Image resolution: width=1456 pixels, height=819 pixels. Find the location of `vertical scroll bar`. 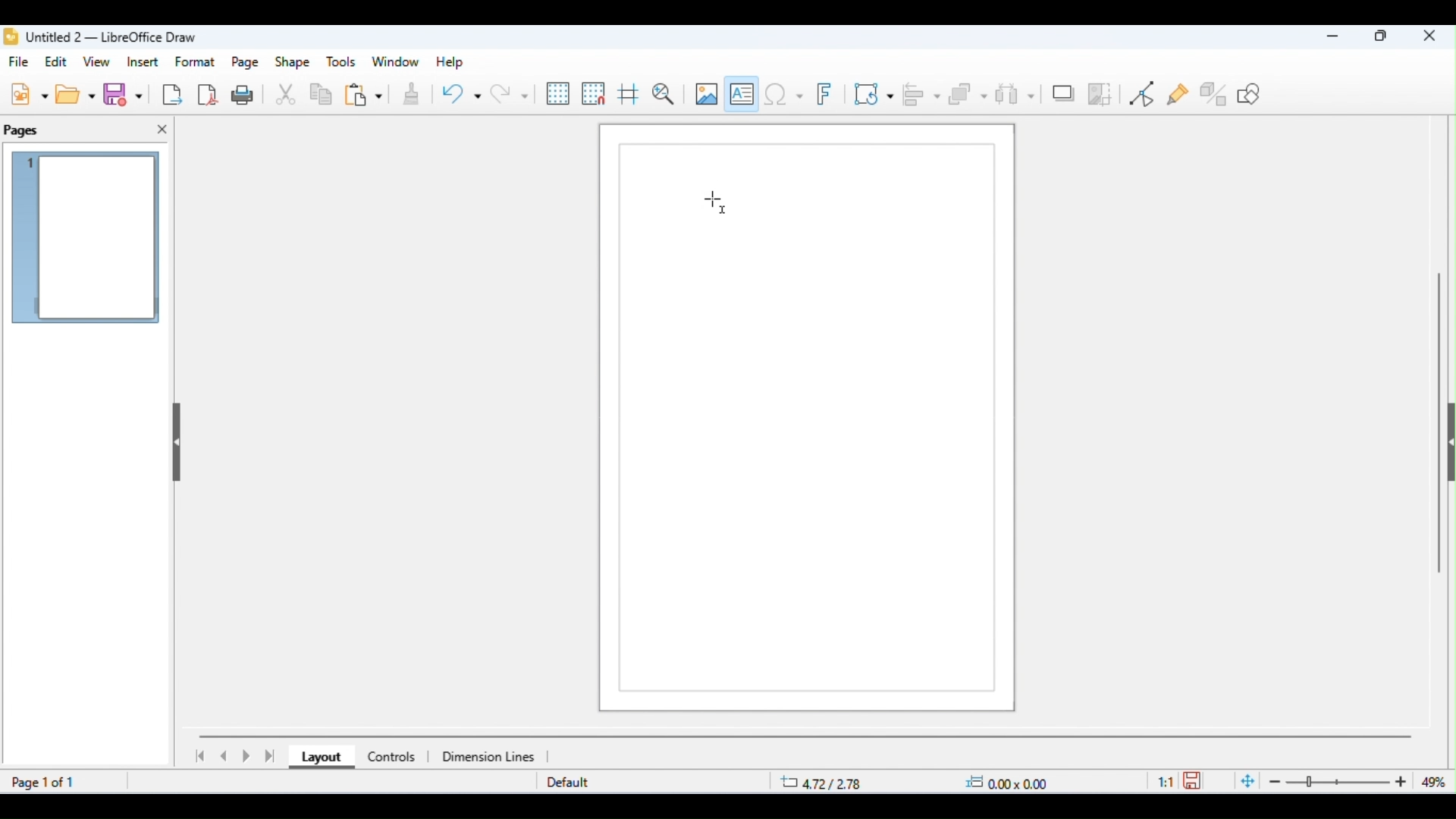

vertical scroll bar is located at coordinates (1439, 417).